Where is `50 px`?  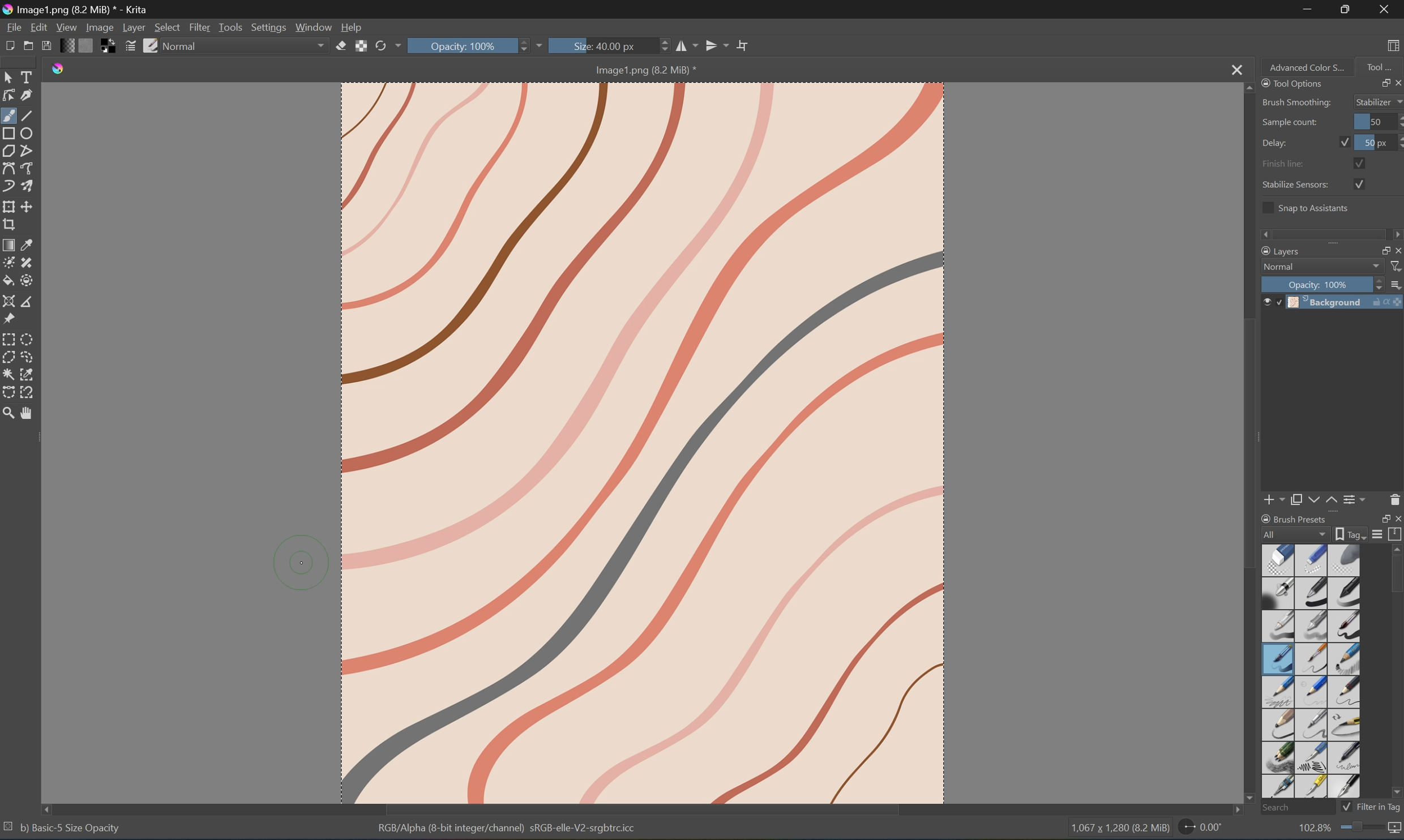
50 px is located at coordinates (1376, 142).